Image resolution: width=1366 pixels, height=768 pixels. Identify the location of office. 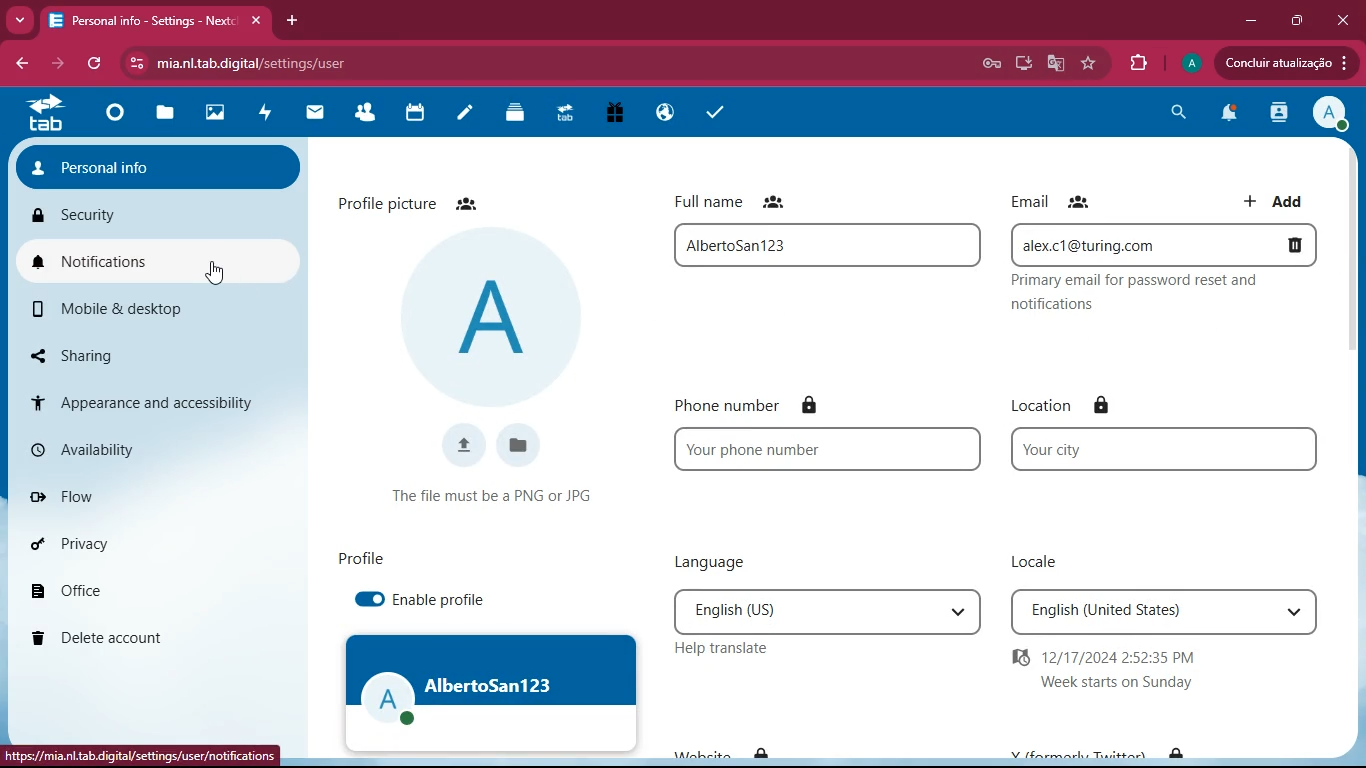
(129, 584).